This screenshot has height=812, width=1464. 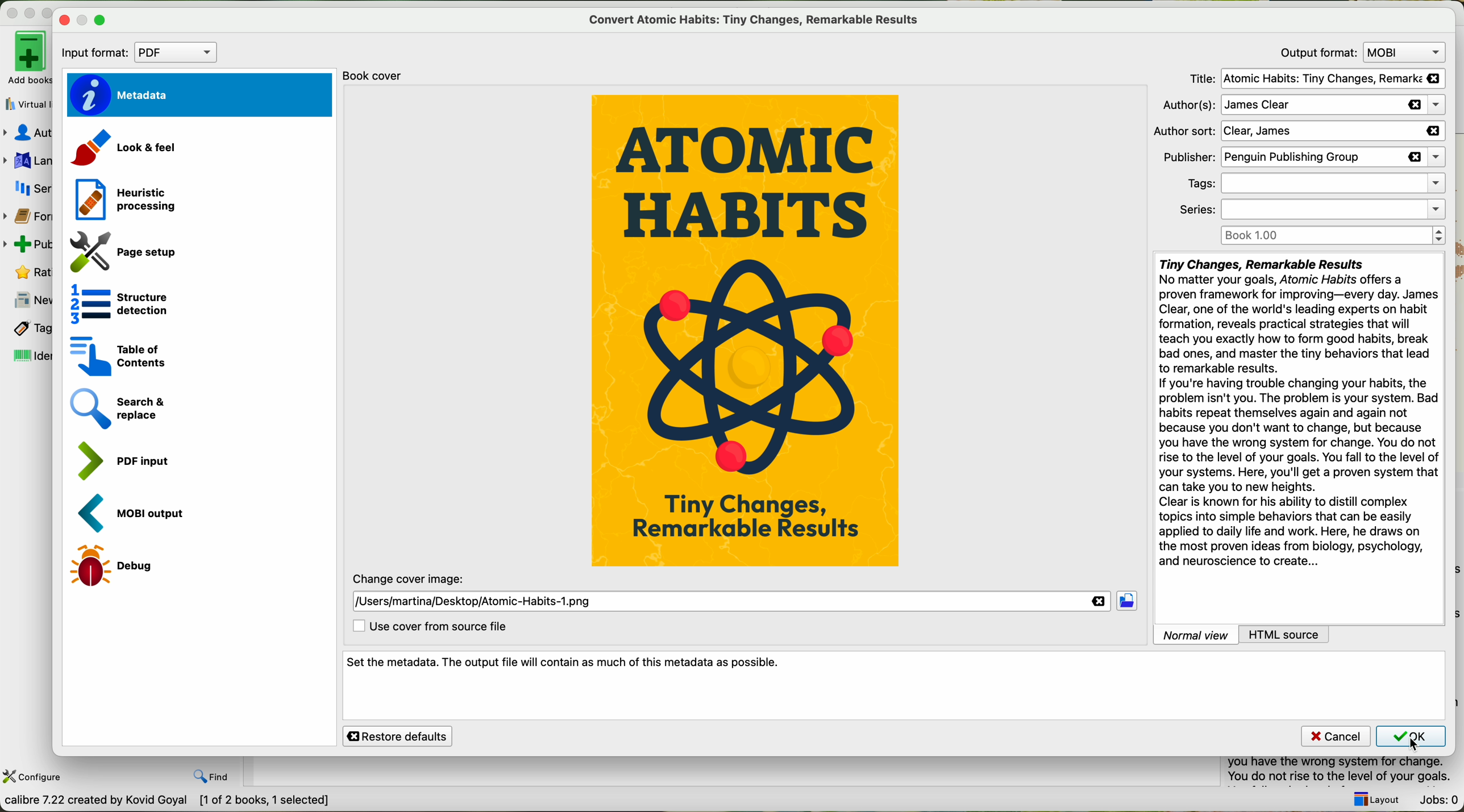 What do you see at coordinates (142, 53) in the screenshot?
I see `input format: PDF` at bounding box center [142, 53].